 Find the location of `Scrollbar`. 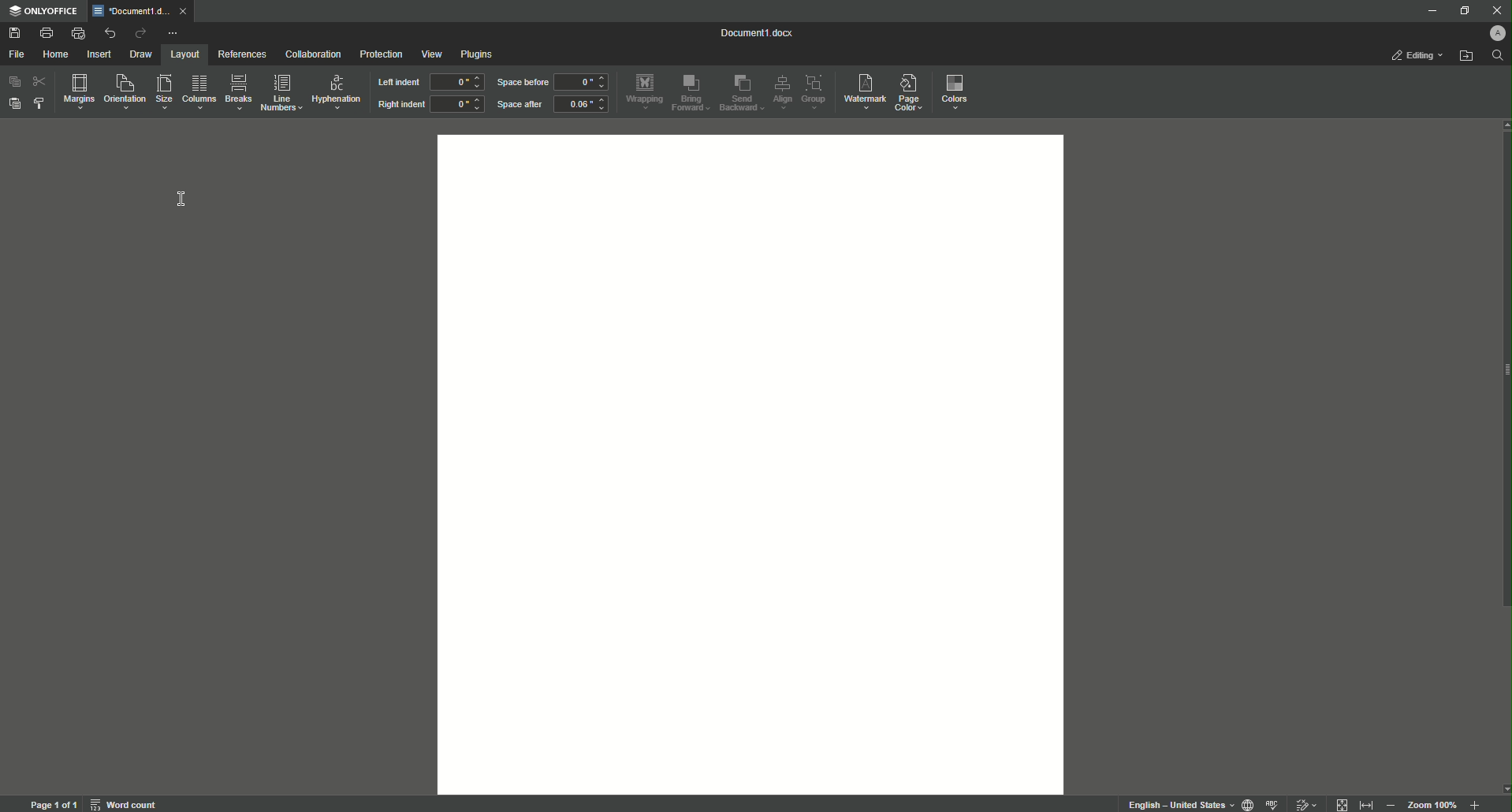

Scrollbar is located at coordinates (1503, 389).